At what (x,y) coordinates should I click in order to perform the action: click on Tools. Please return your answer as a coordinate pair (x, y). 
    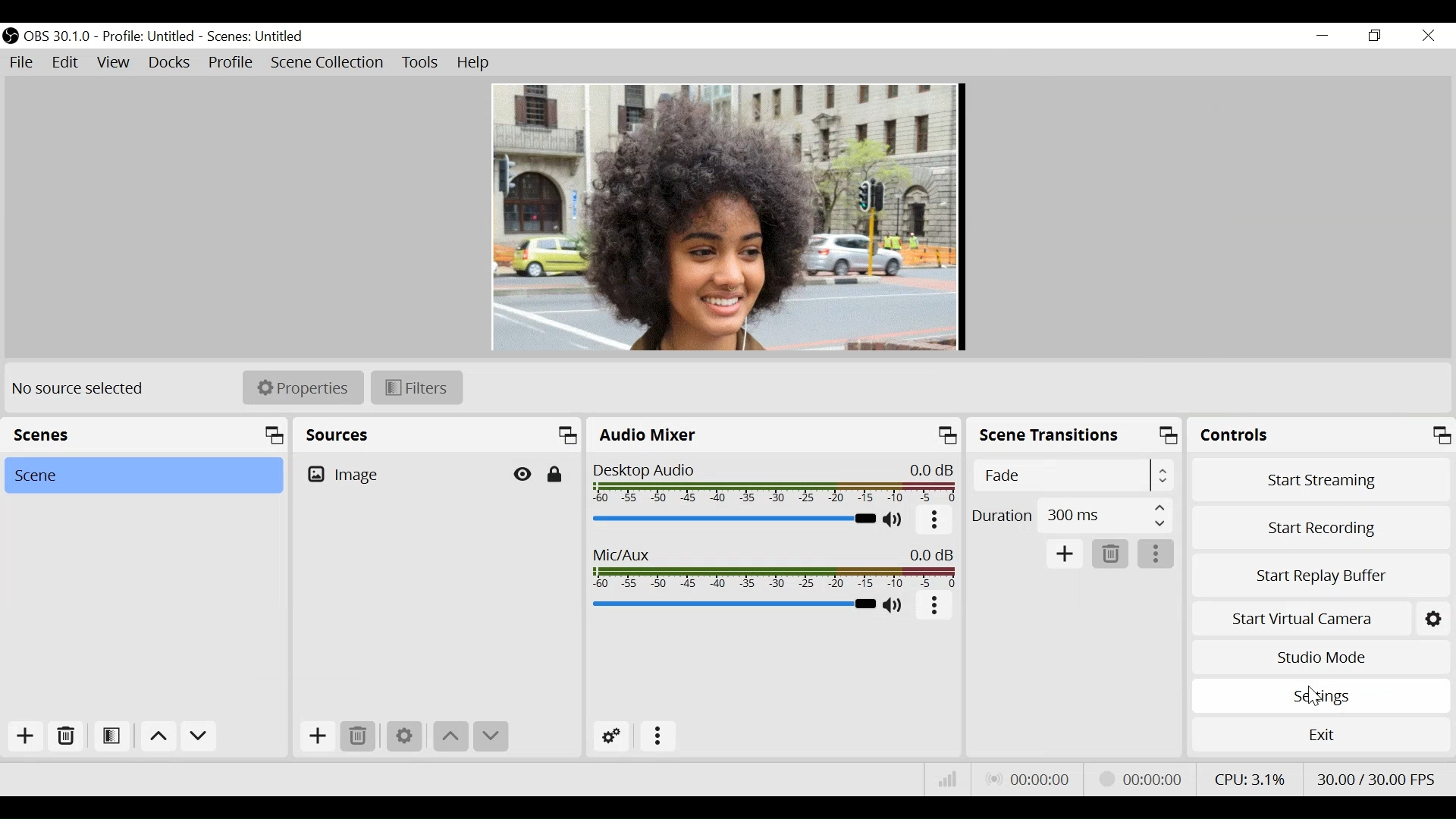
    Looking at the image, I should click on (421, 63).